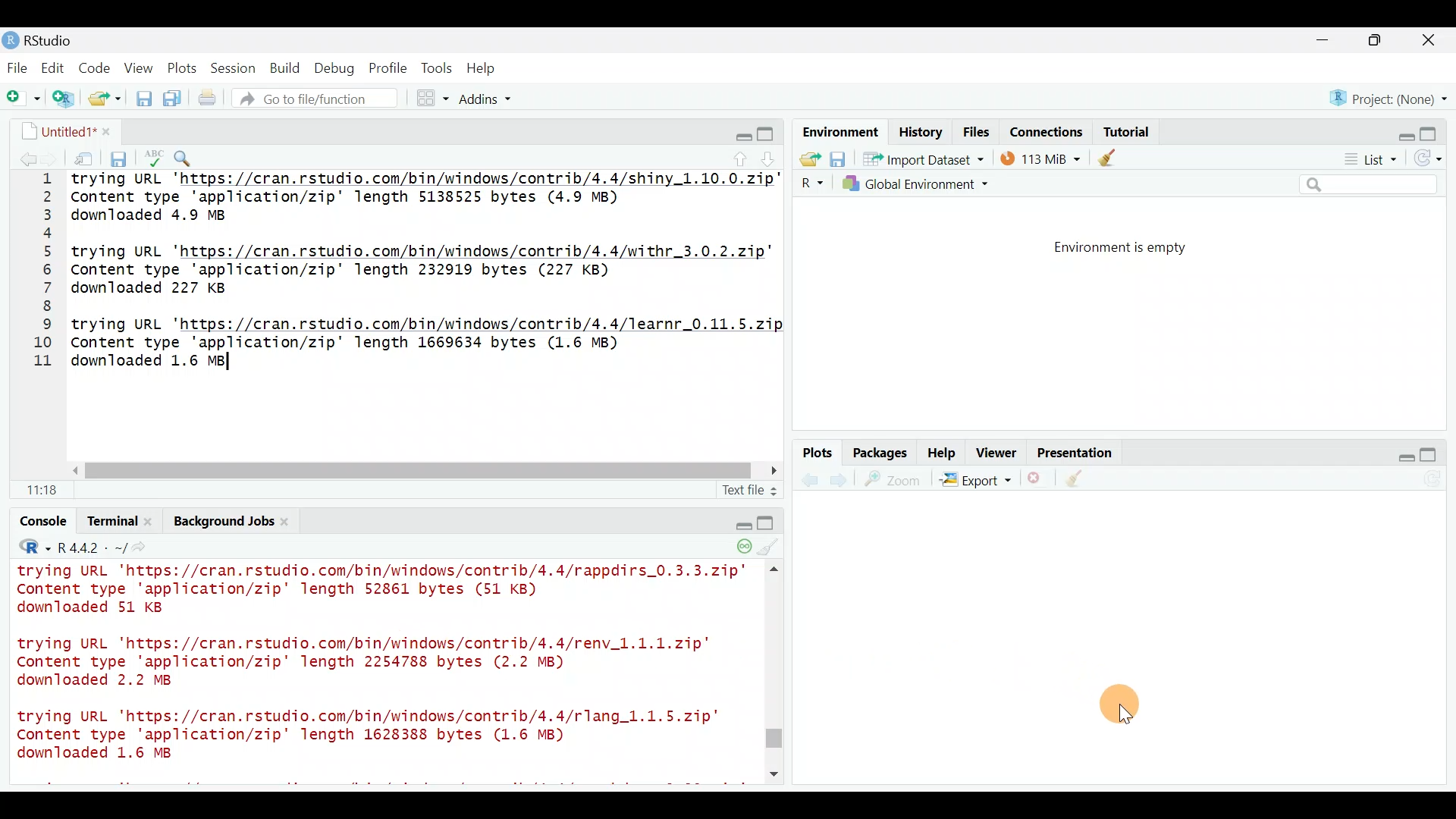 The height and width of the screenshot is (819, 1456). I want to click on close, so click(1429, 42).